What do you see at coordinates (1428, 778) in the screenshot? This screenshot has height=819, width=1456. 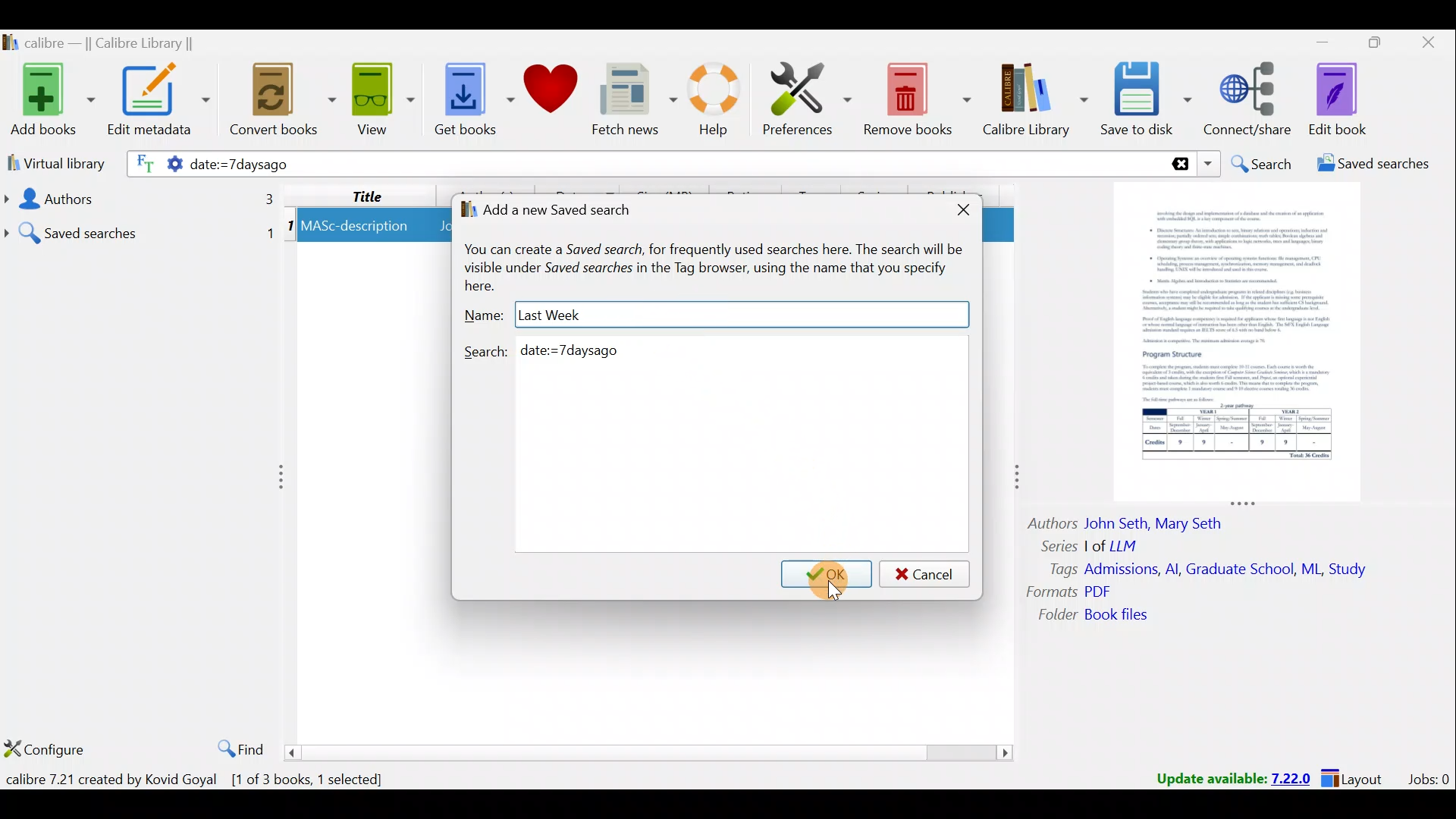 I see `Jobs:0` at bounding box center [1428, 778].